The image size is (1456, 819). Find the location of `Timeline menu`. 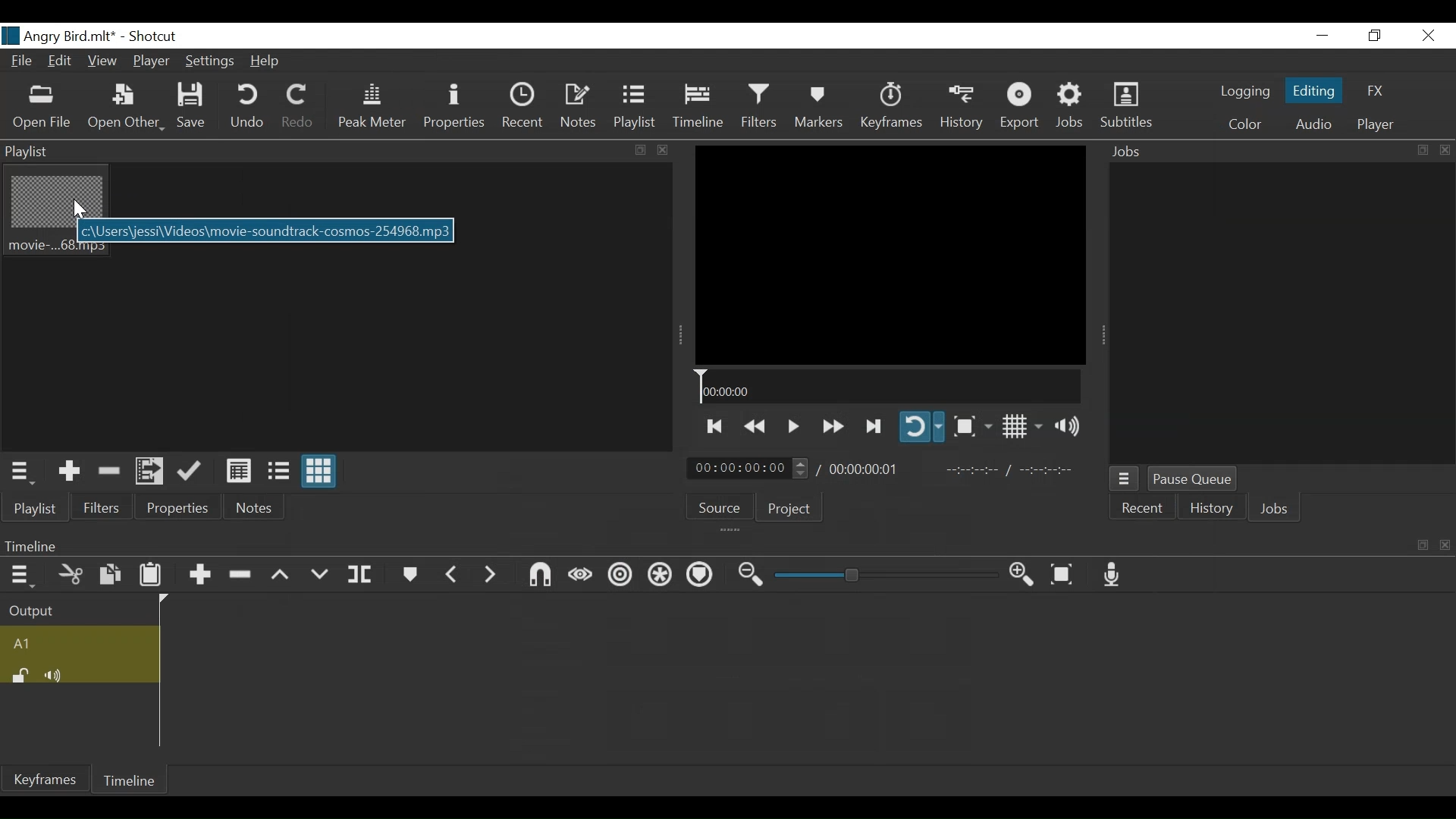

Timeline menu is located at coordinates (704, 546).